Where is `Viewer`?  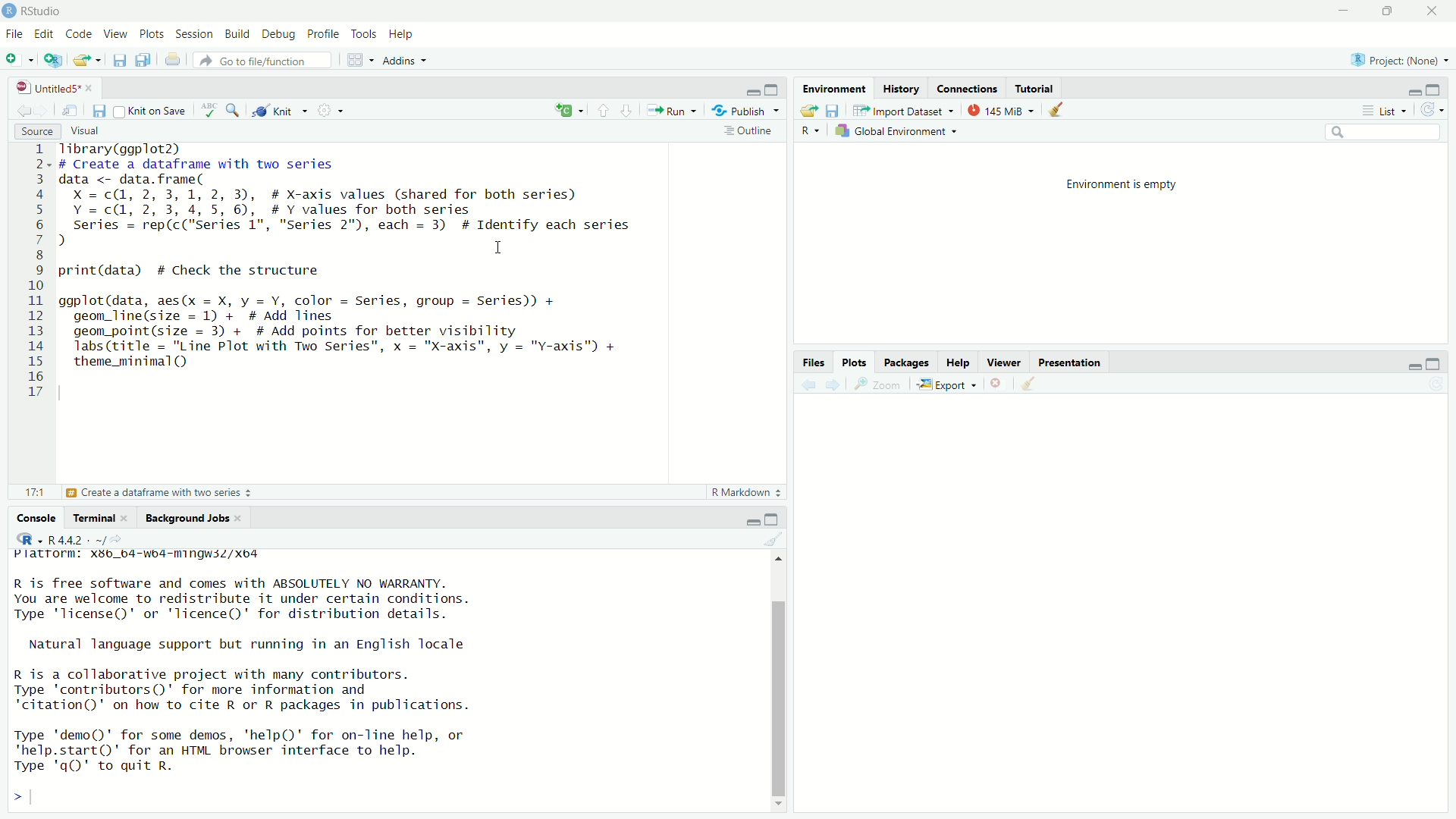 Viewer is located at coordinates (1003, 362).